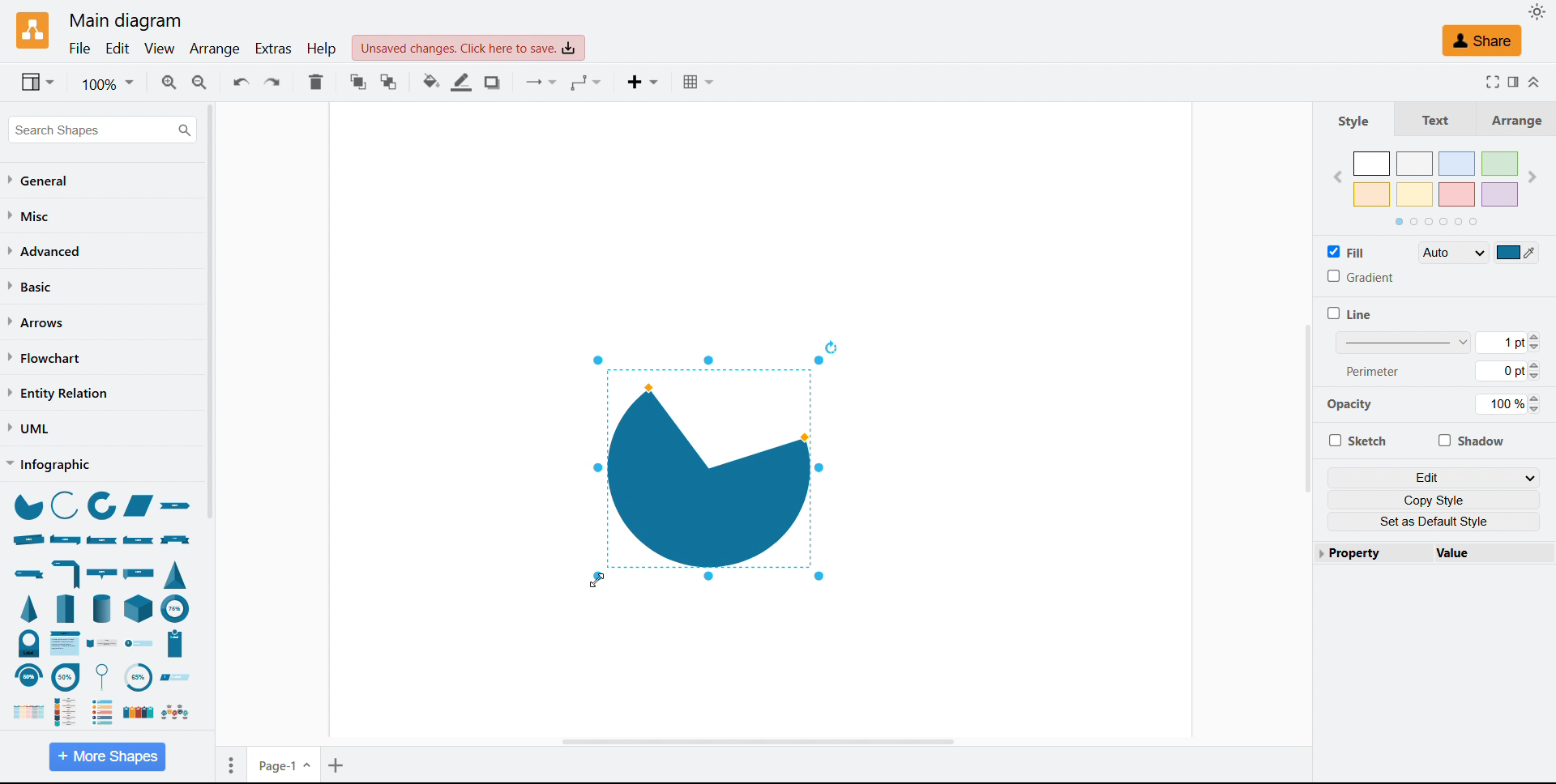 This screenshot has width=1556, height=784. I want to click on banner, so click(176, 540).